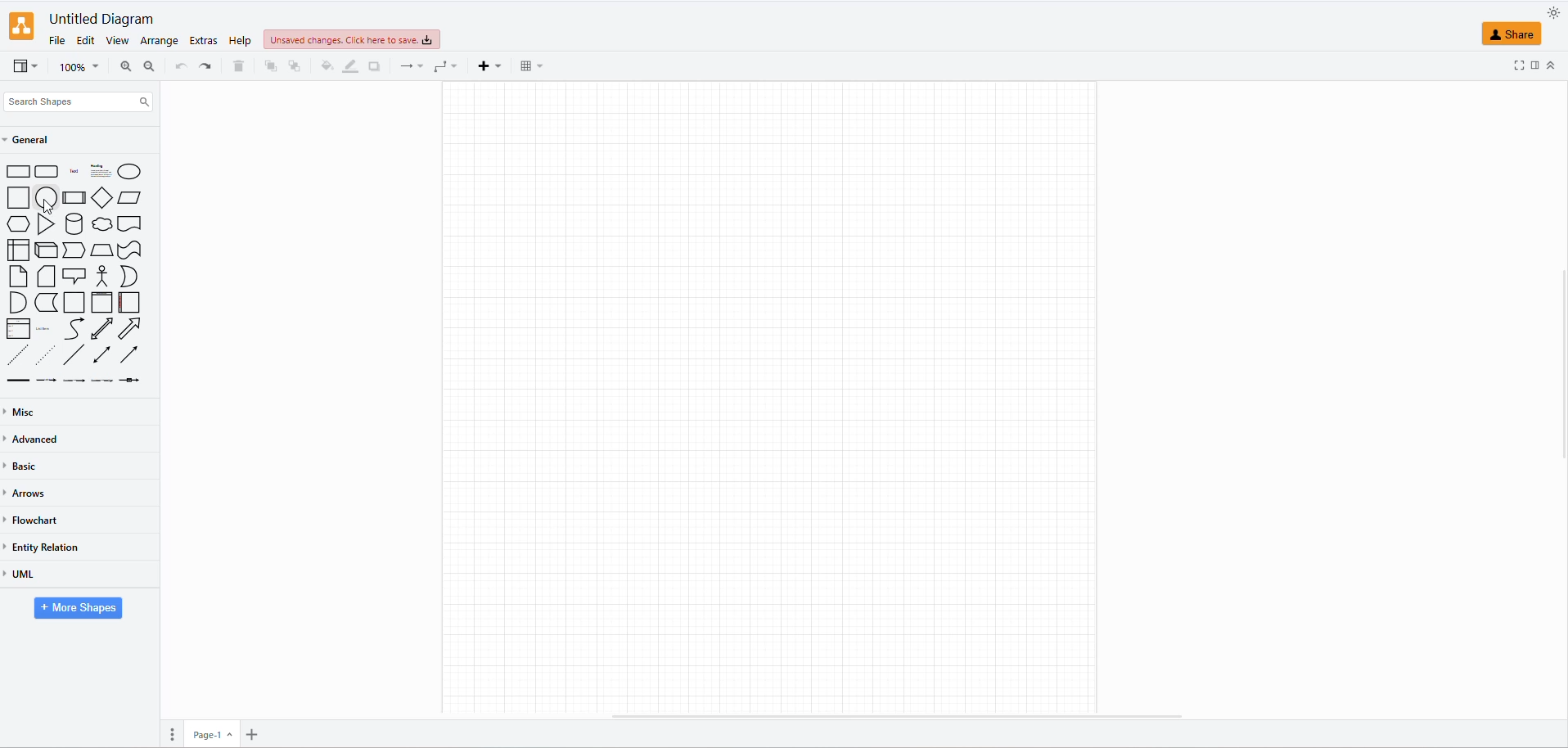  Describe the element at coordinates (103, 19) in the screenshot. I see `FILE NAME` at that location.